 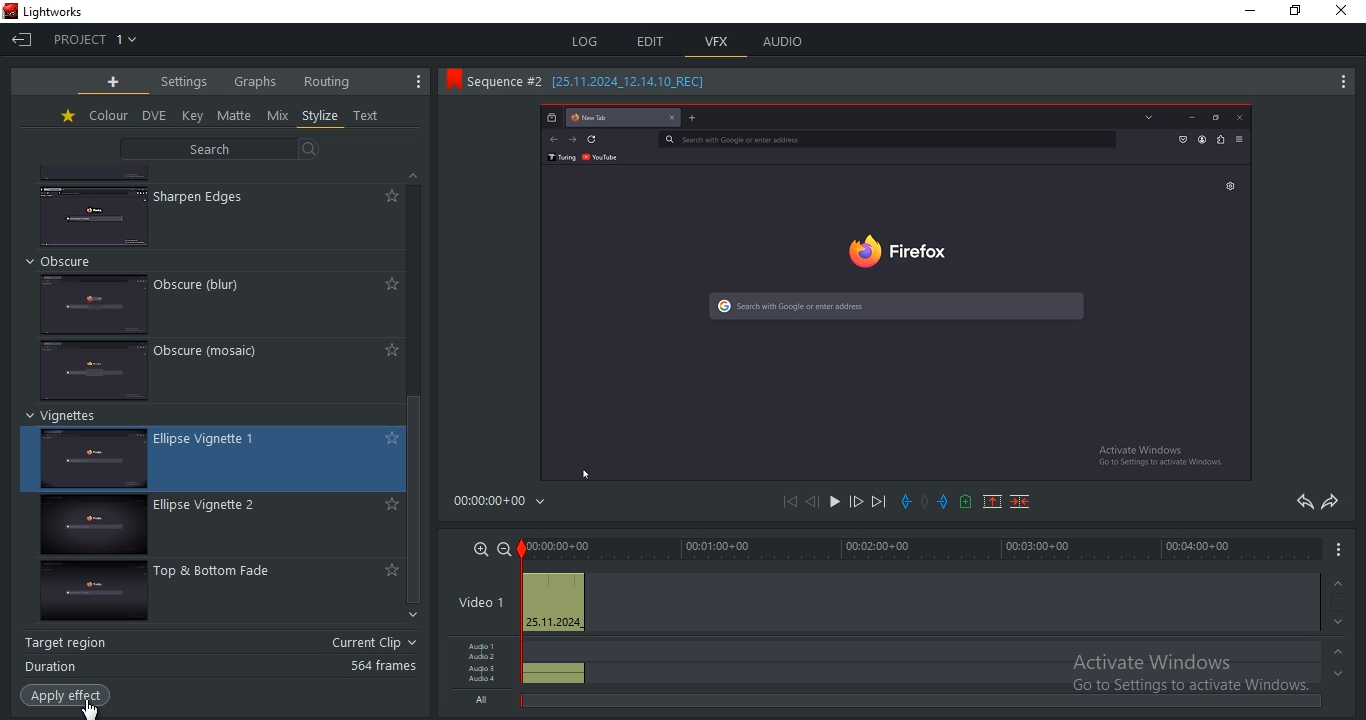 What do you see at coordinates (419, 502) in the screenshot?
I see `scroll bar` at bounding box center [419, 502].